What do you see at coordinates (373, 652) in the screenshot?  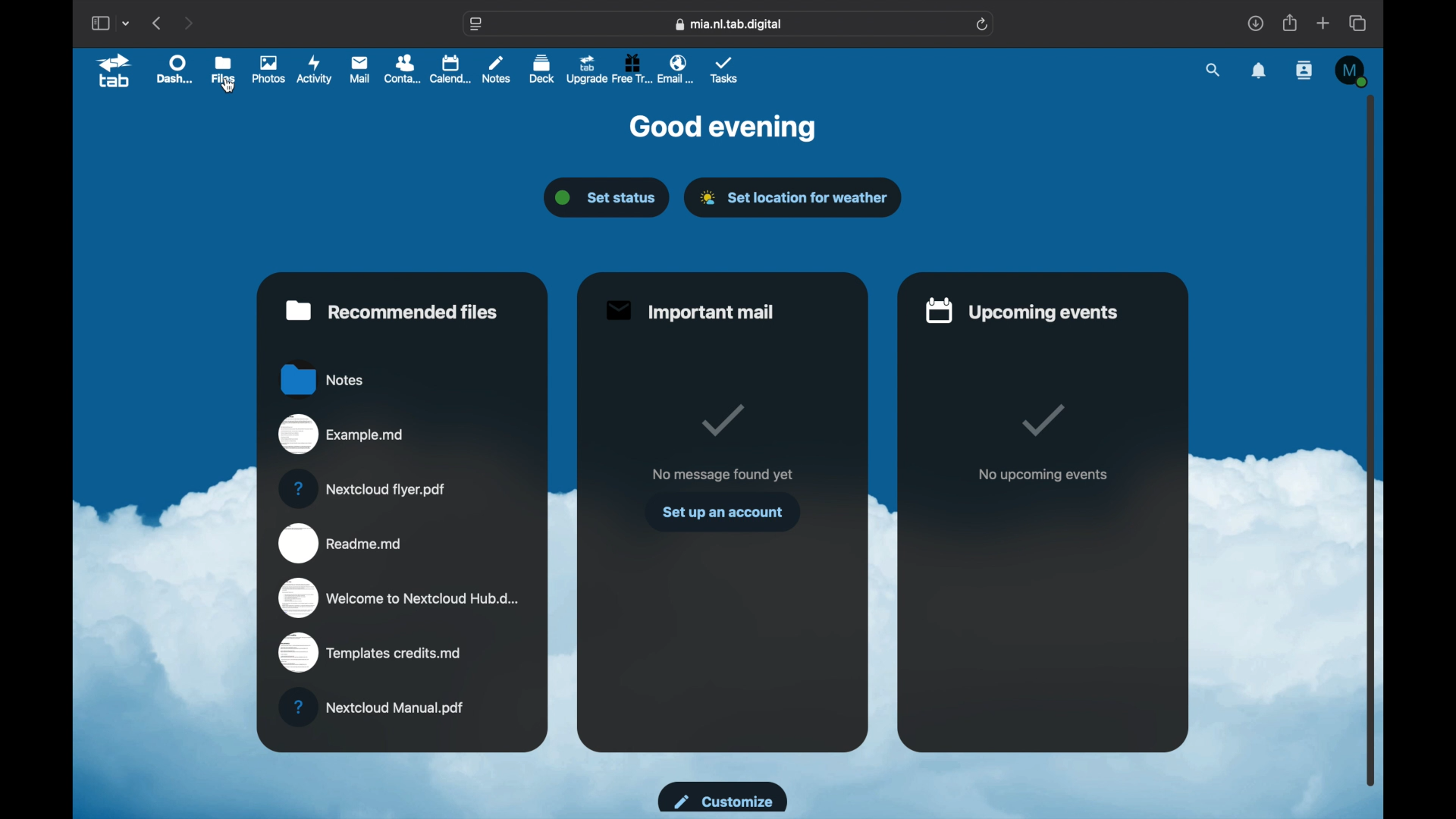 I see `templates credits` at bounding box center [373, 652].